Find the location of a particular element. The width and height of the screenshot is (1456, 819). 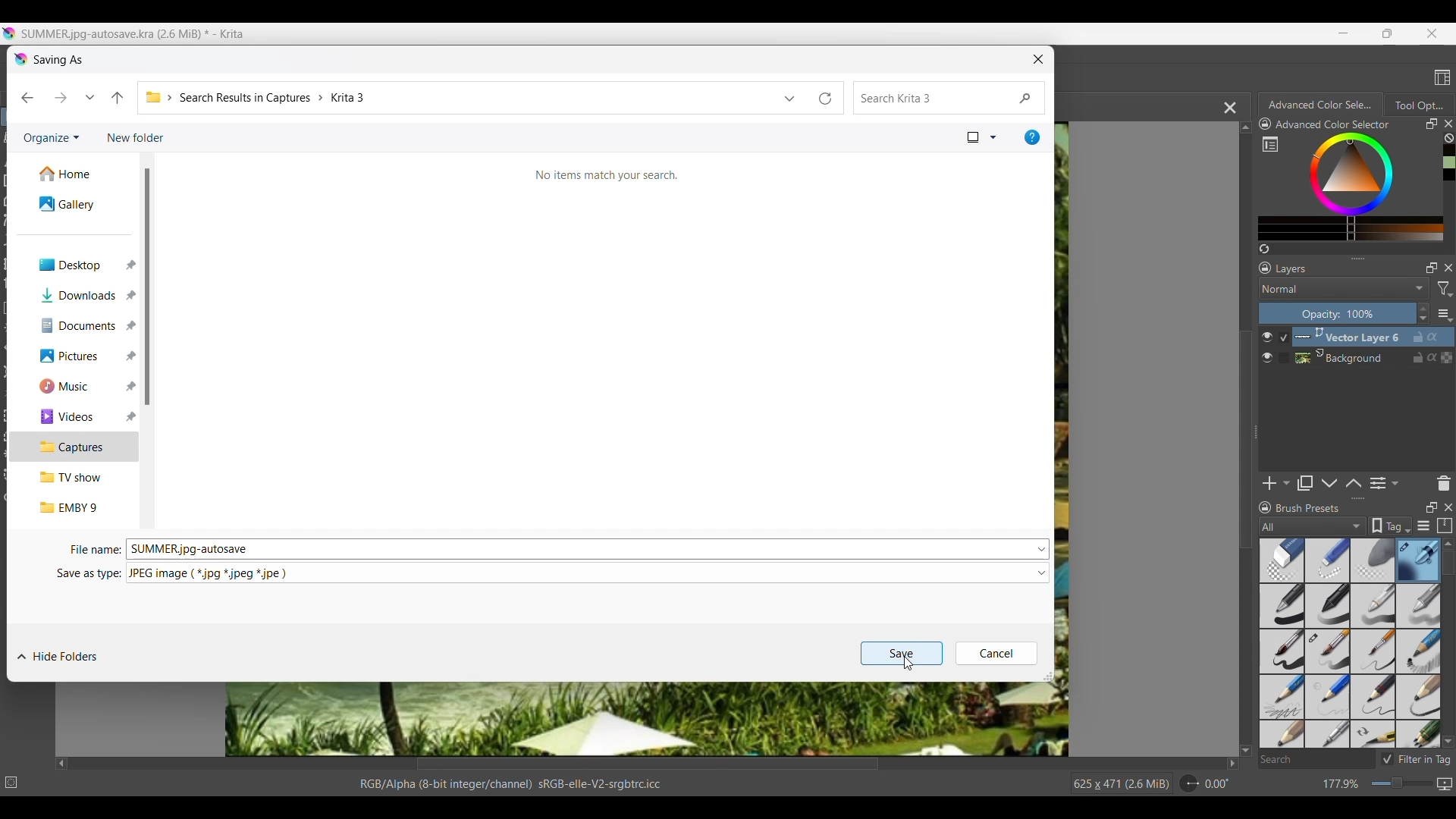

Current zoom factor is located at coordinates (1341, 784).